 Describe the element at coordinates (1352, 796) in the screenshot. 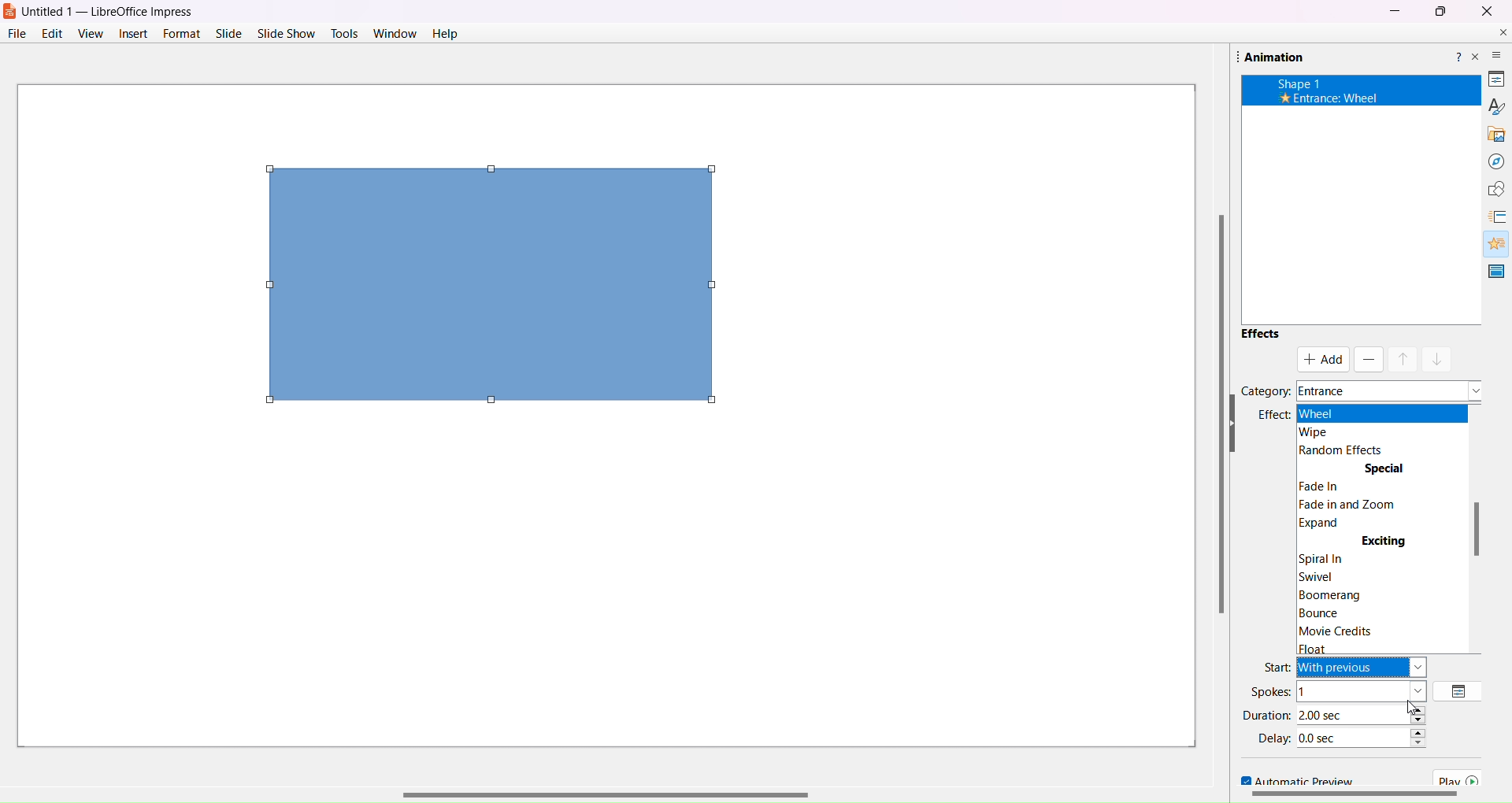

I see `Scroll Bar` at that location.